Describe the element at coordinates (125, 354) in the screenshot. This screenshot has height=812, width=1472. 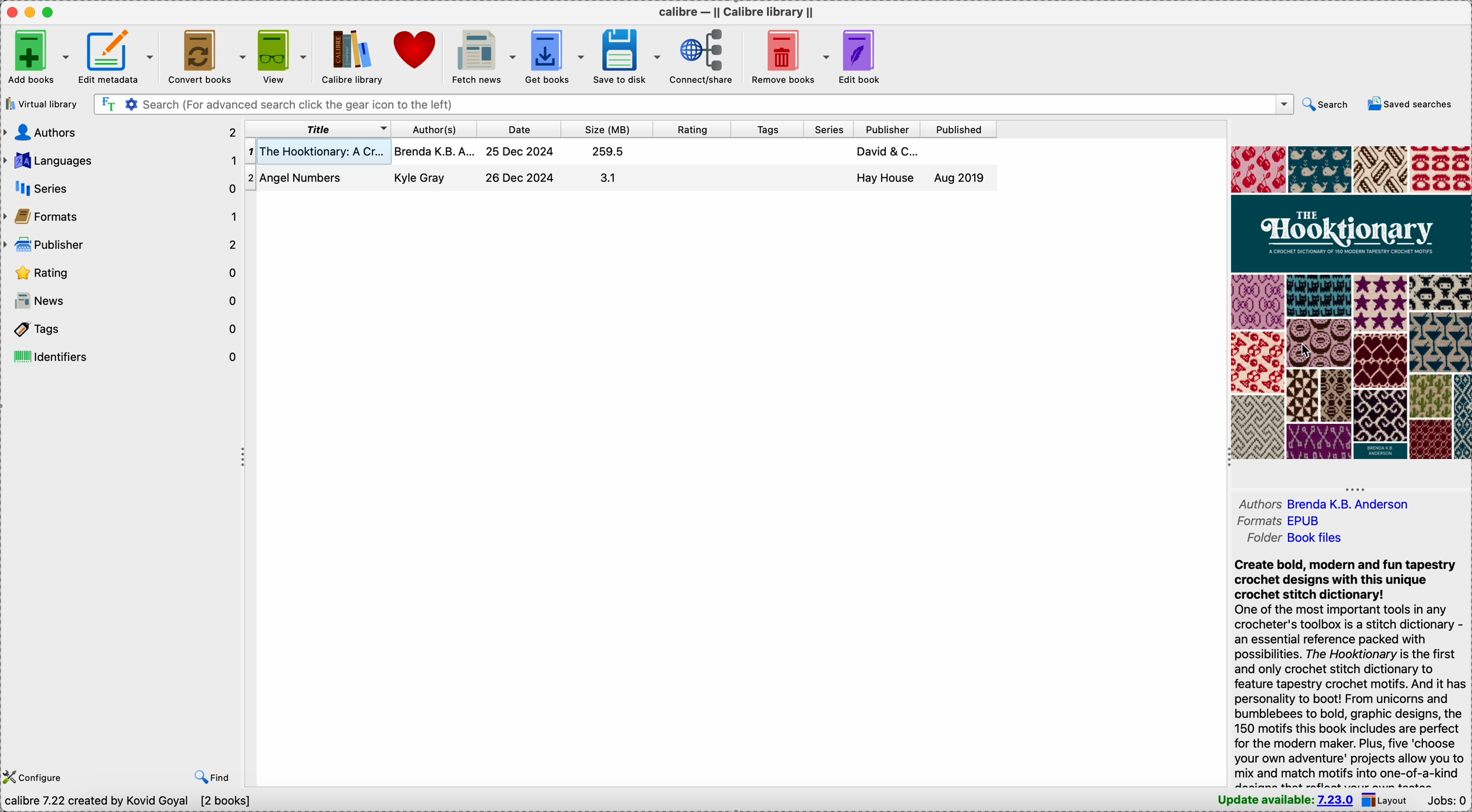
I see `identifiers` at that location.